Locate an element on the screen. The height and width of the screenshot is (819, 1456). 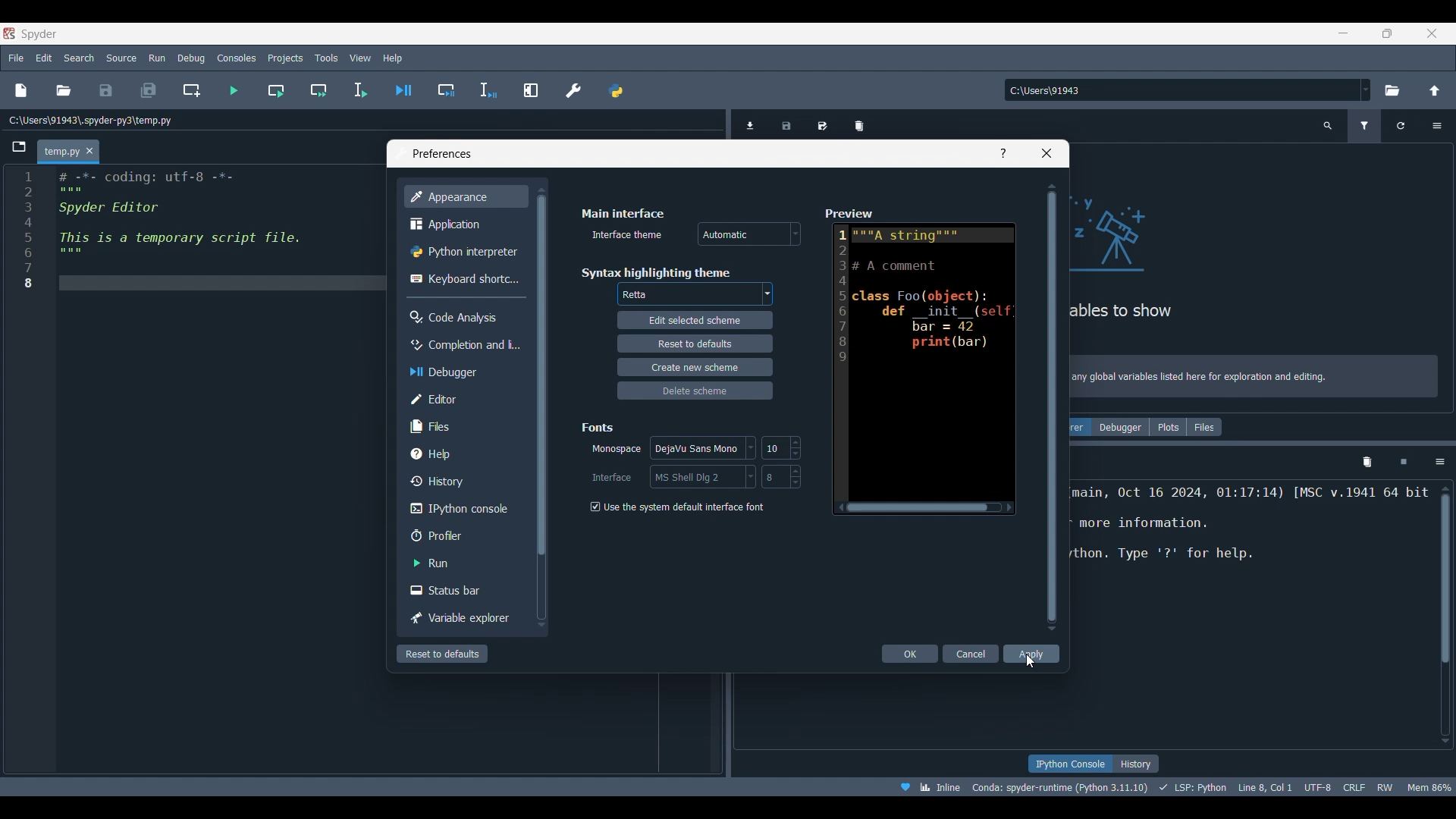
Run menu is located at coordinates (157, 56).